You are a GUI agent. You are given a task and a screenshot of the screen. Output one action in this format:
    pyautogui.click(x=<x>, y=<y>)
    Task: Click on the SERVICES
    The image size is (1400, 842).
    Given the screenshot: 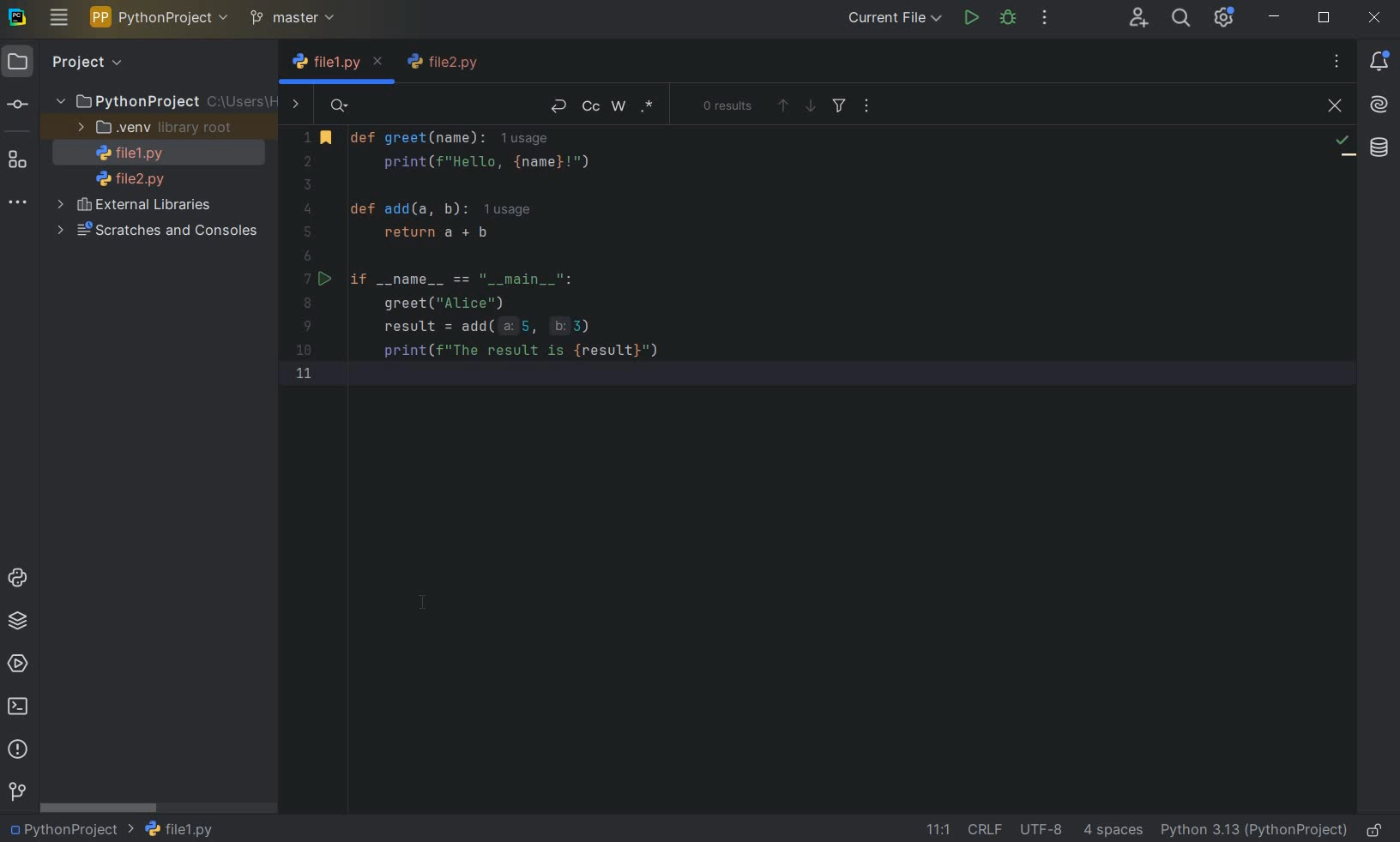 What is the action you would take?
    pyautogui.click(x=20, y=663)
    